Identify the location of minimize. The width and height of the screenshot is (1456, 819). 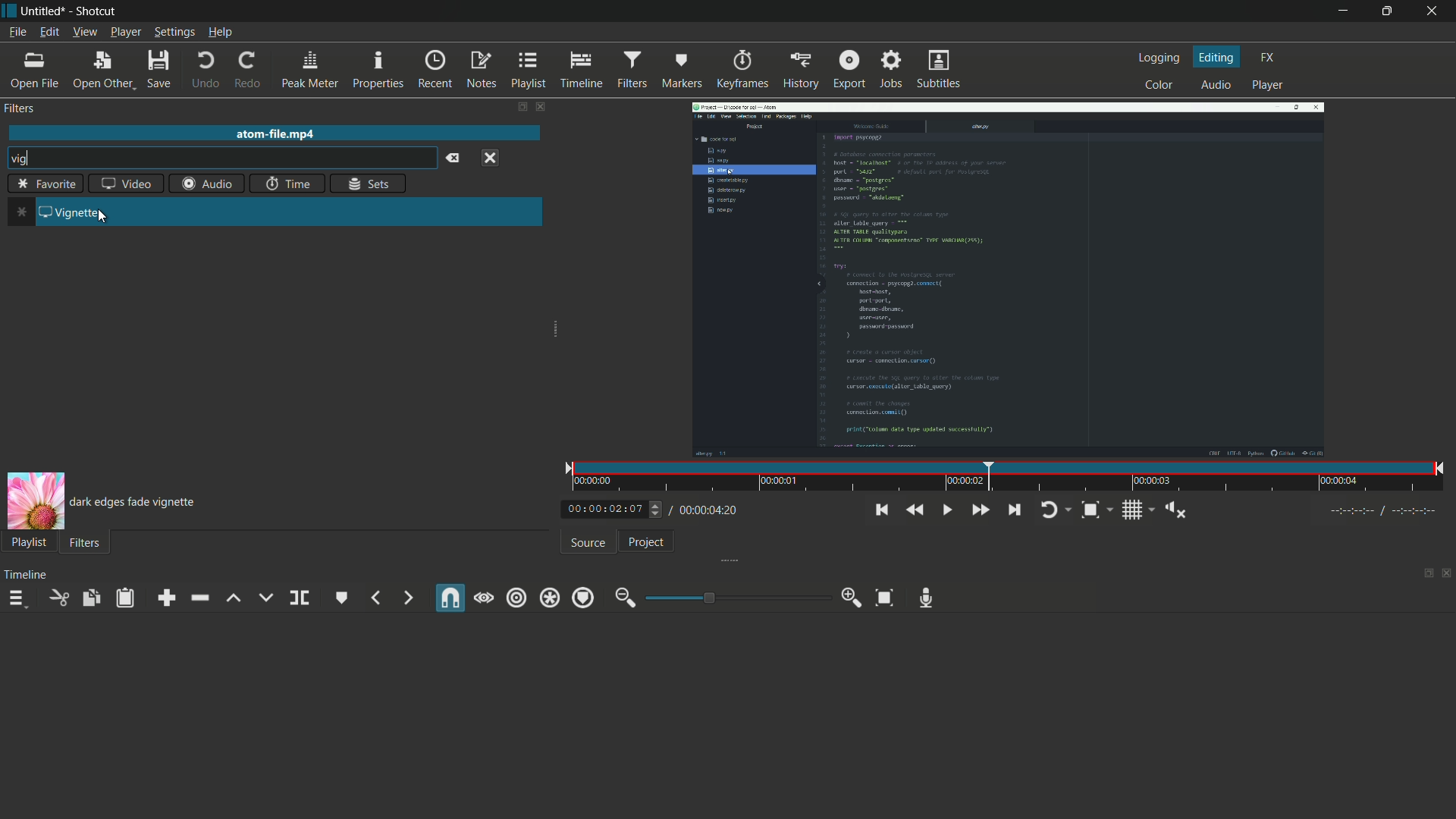
(1343, 11).